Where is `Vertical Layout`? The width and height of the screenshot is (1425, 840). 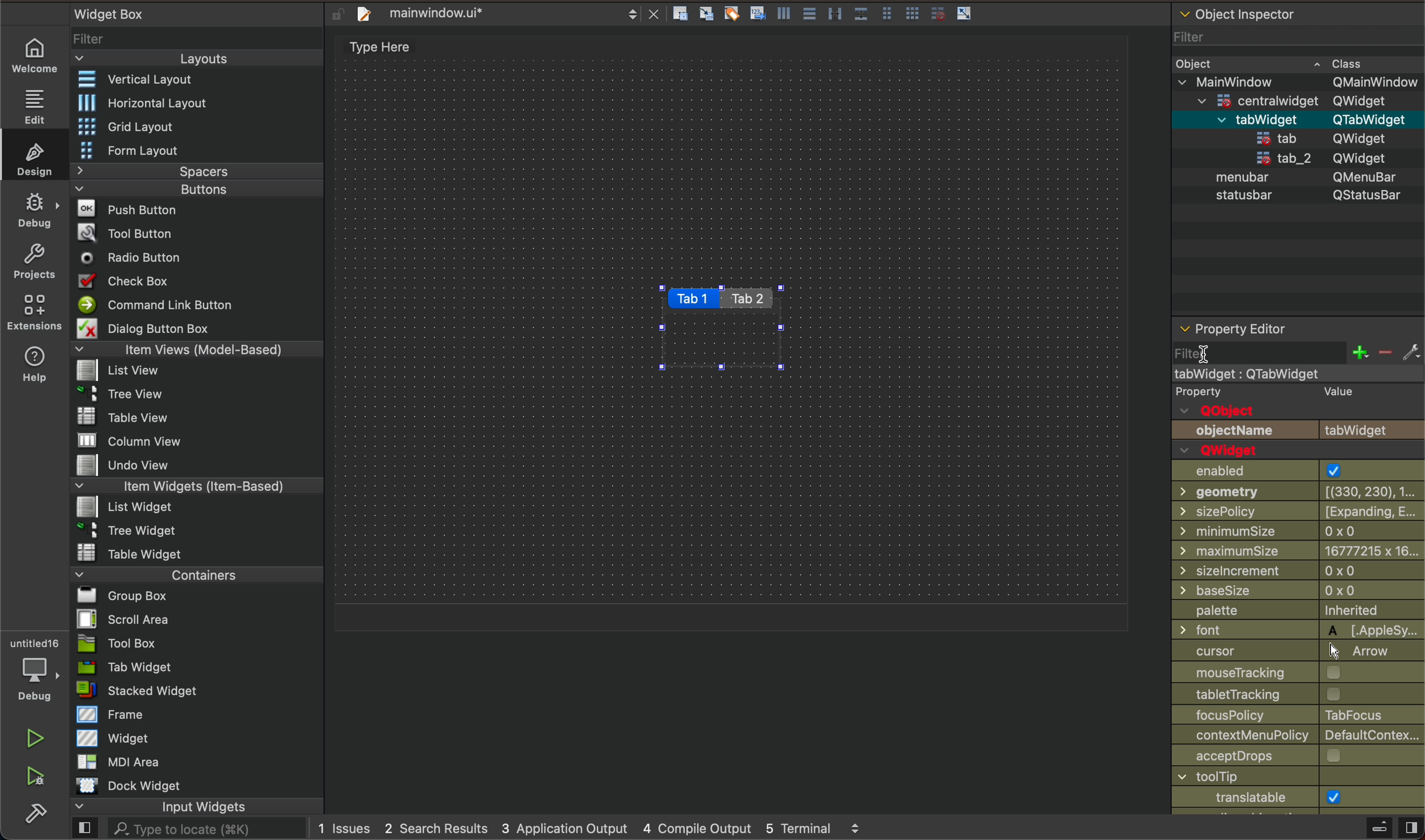 Vertical Layout is located at coordinates (132, 78).